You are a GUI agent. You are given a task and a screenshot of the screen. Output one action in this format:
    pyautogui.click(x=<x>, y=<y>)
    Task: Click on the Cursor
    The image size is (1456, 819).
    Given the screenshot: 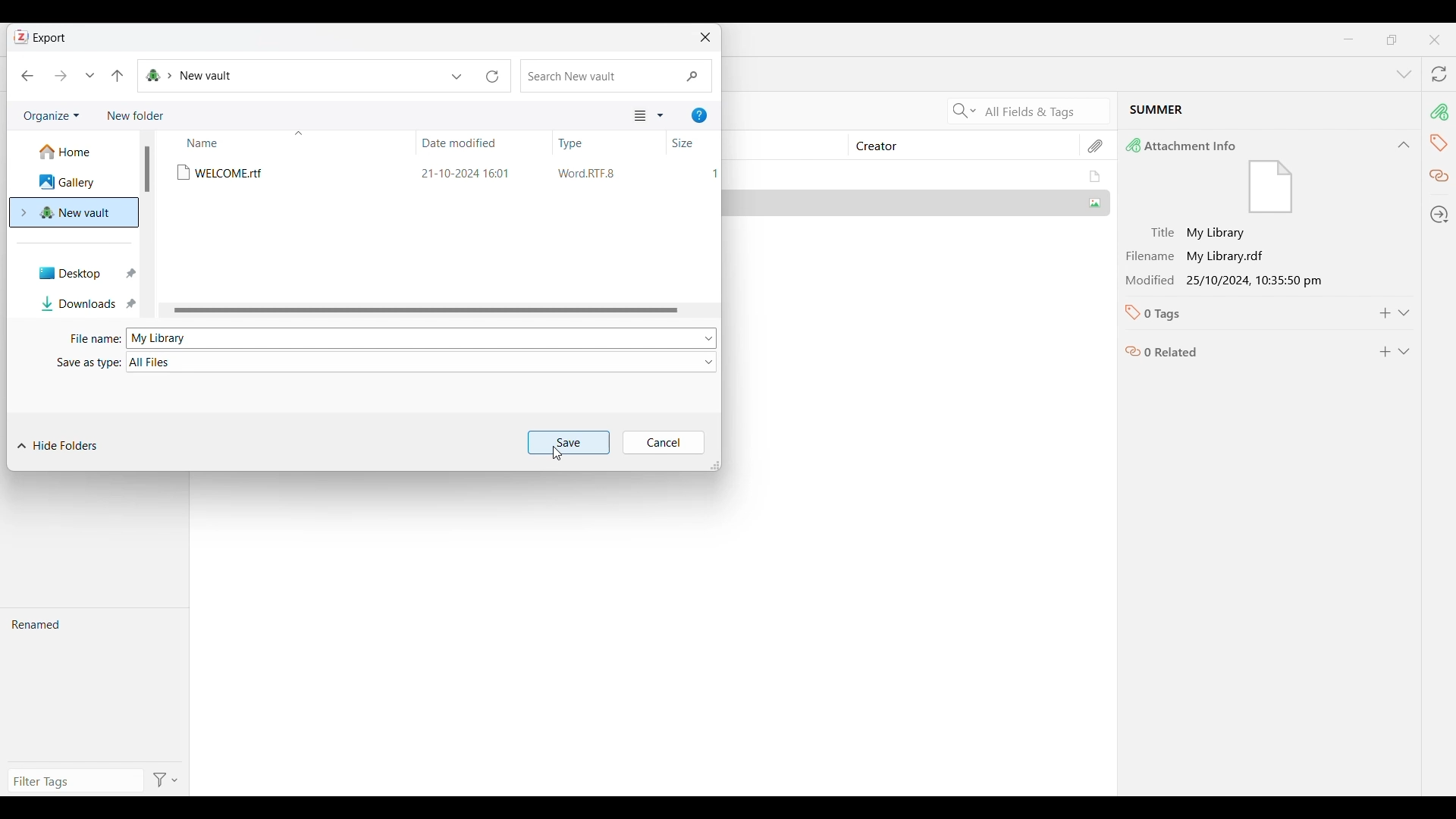 What is the action you would take?
    pyautogui.click(x=557, y=454)
    